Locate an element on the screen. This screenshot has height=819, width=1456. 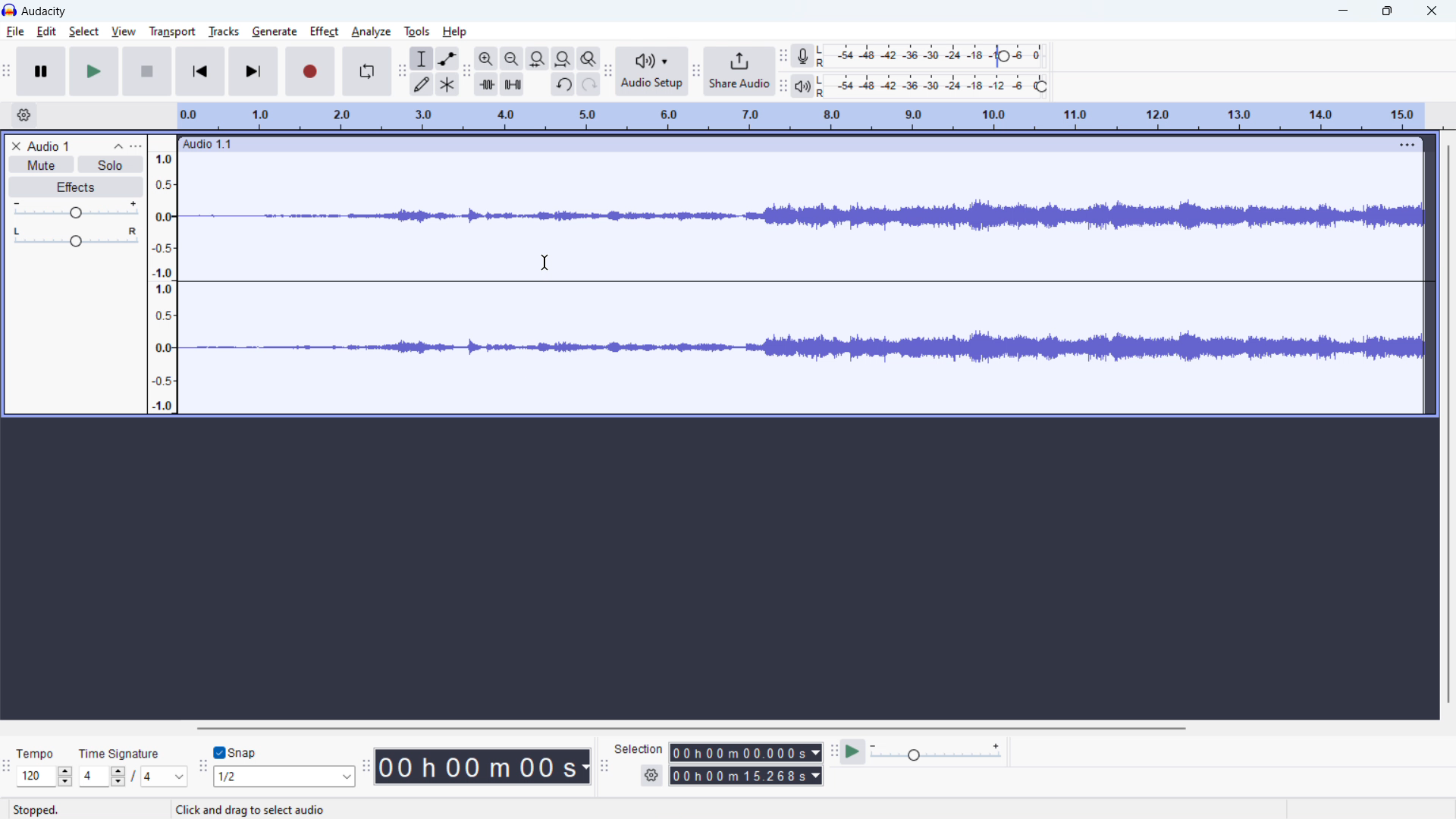
zoom out is located at coordinates (511, 58).